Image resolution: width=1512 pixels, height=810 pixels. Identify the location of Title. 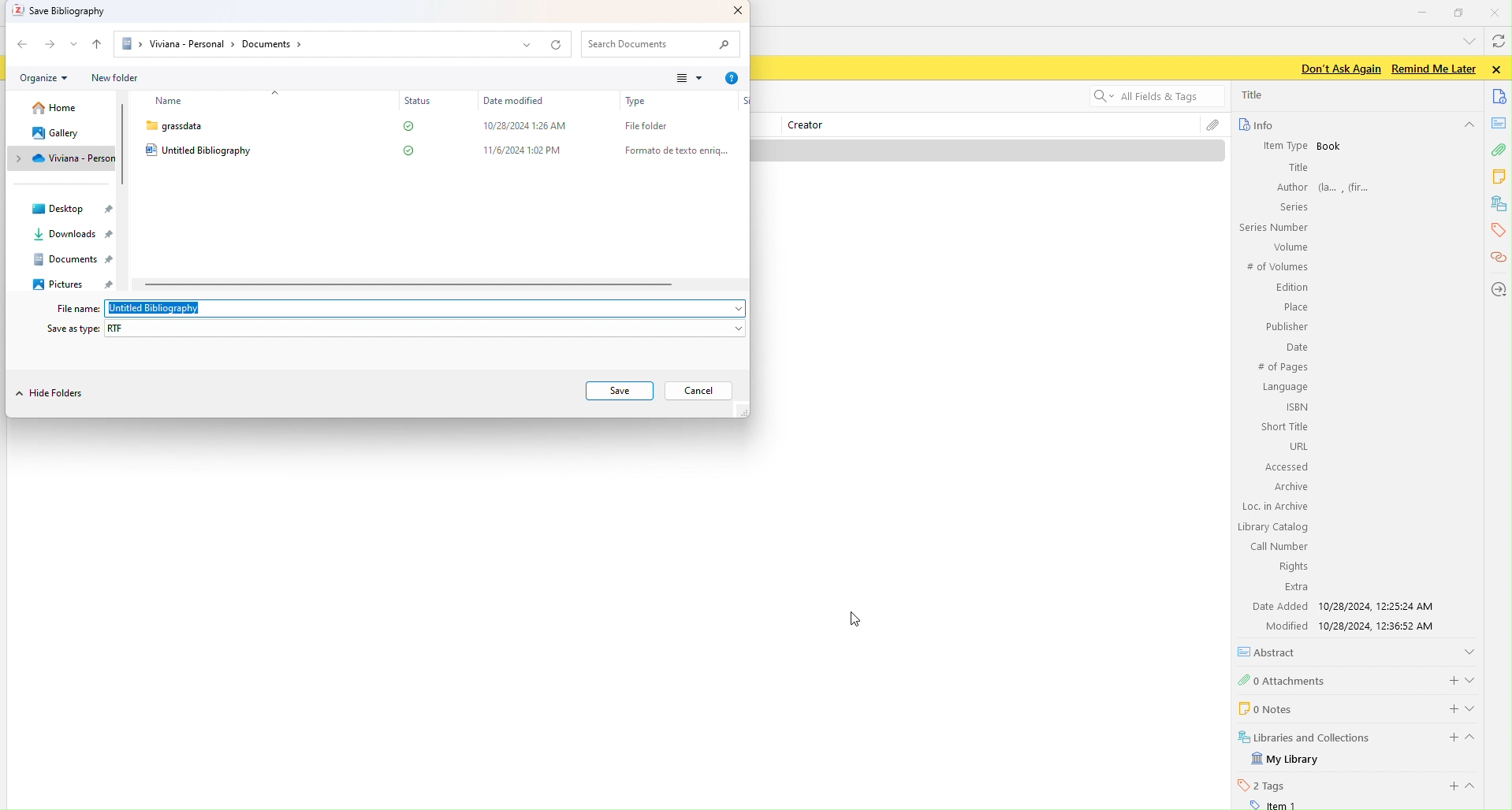
(1254, 95).